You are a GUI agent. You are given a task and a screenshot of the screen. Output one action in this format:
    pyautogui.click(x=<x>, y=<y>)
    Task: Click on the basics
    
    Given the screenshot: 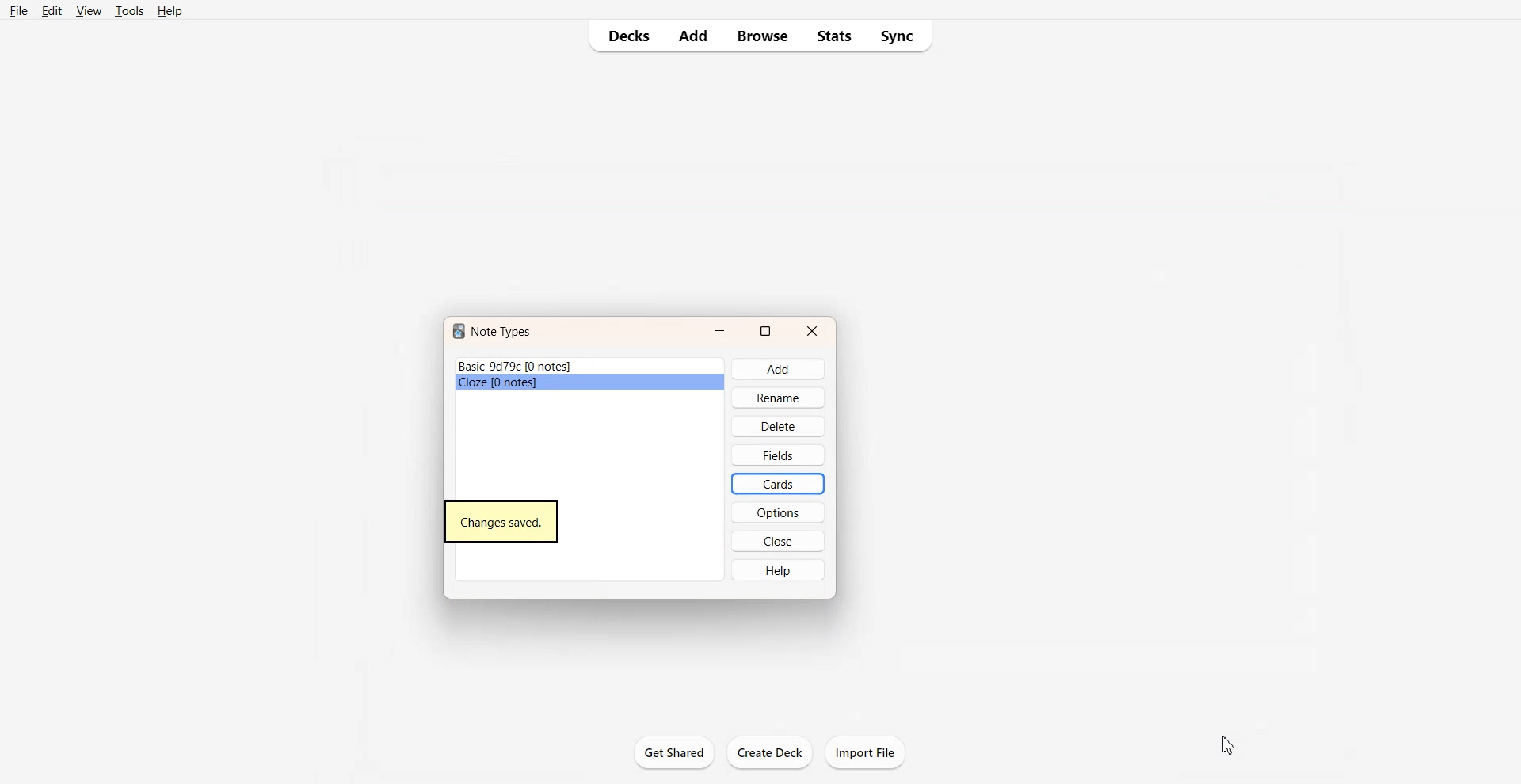 What is the action you would take?
    pyautogui.click(x=550, y=379)
    